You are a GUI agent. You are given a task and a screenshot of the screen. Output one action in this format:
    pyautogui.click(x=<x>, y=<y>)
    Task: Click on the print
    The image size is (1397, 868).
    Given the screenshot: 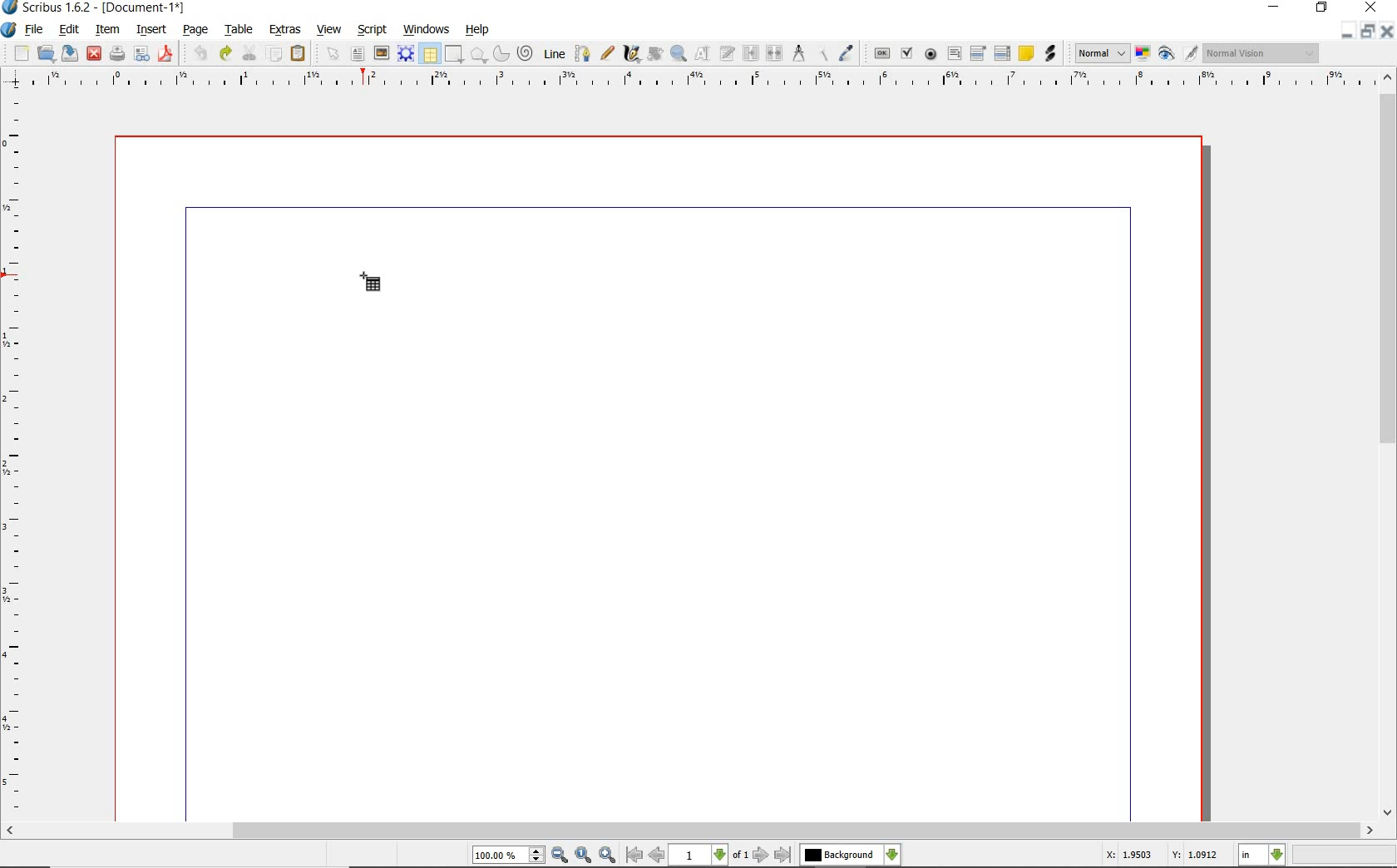 What is the action you would take?
    pyautogui.click(x=116, y=53)
    